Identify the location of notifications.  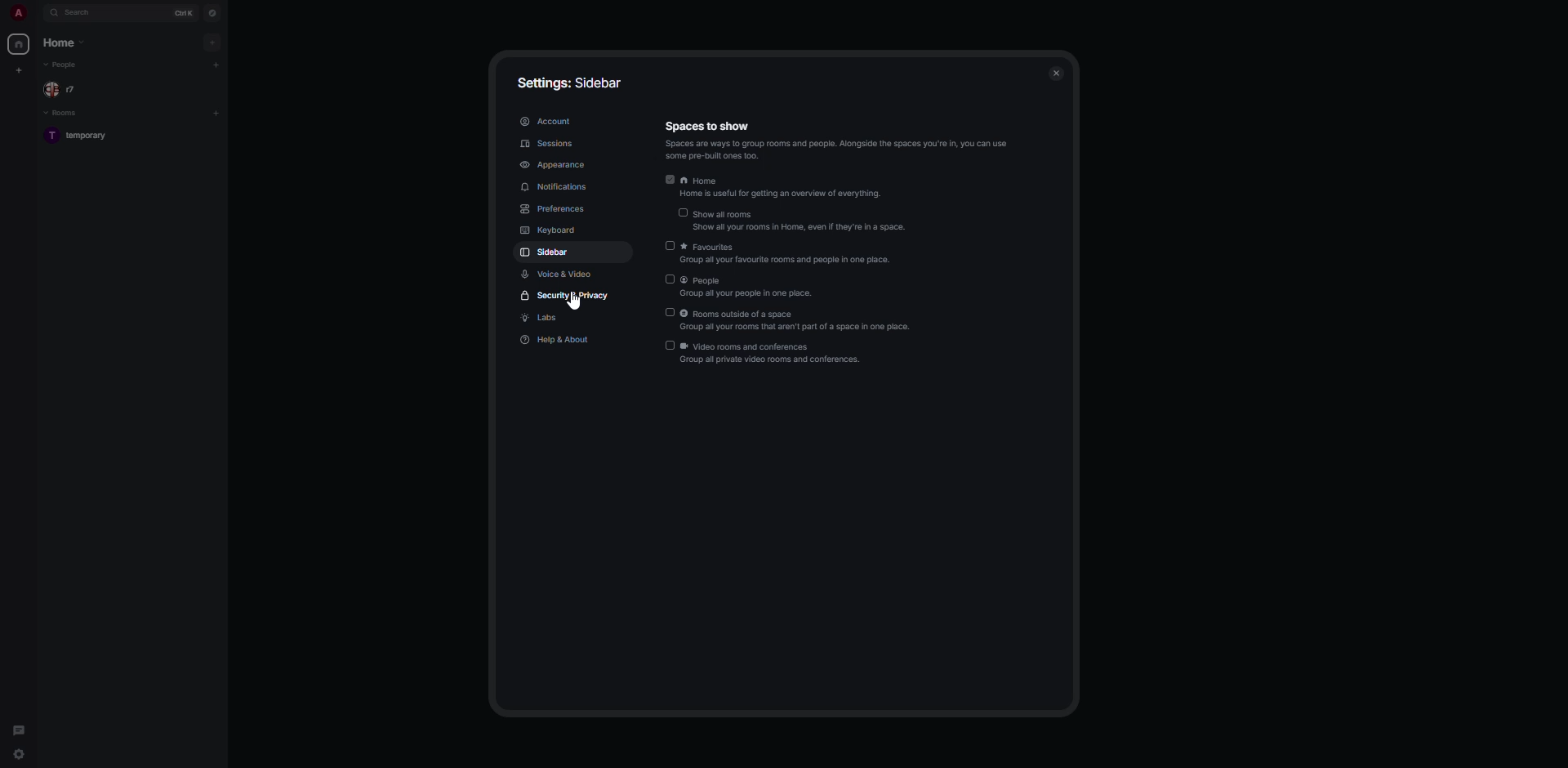
(556, 189).